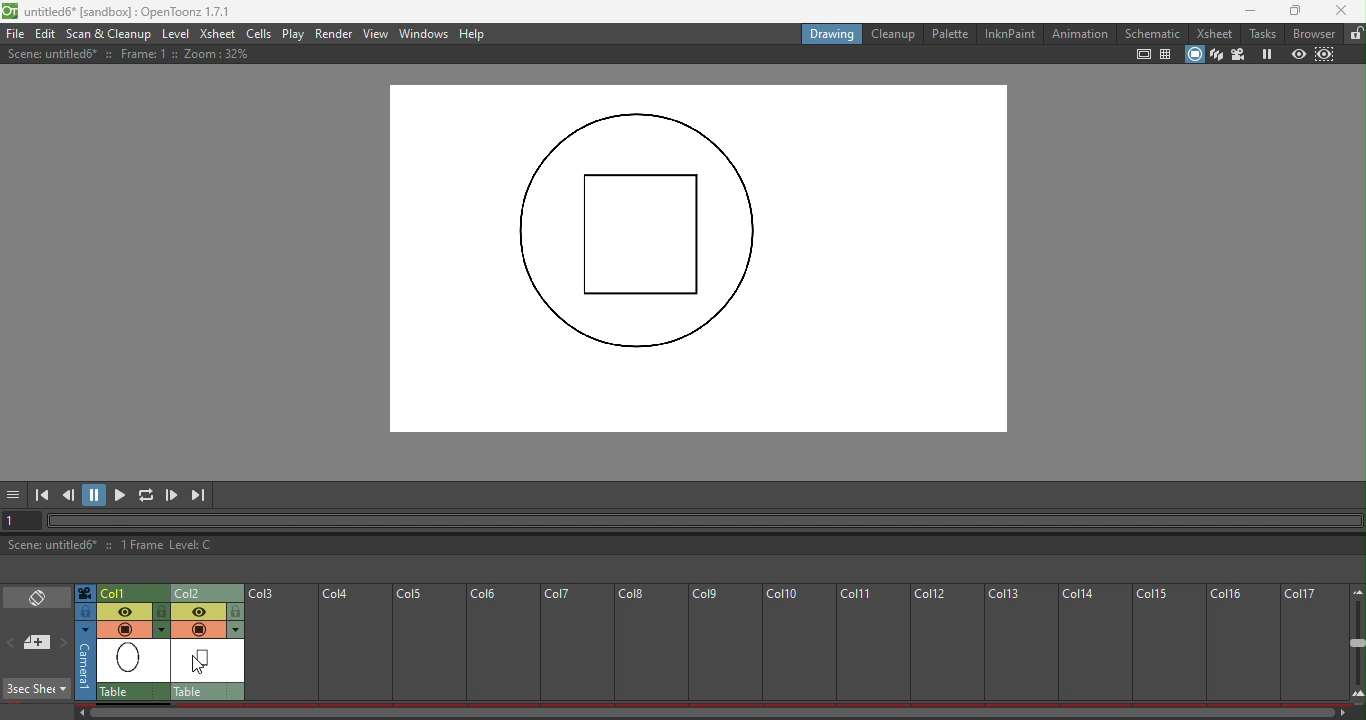 The image size is (1366, 720). I want to click on Zoom in/out, so click(1357, 644).